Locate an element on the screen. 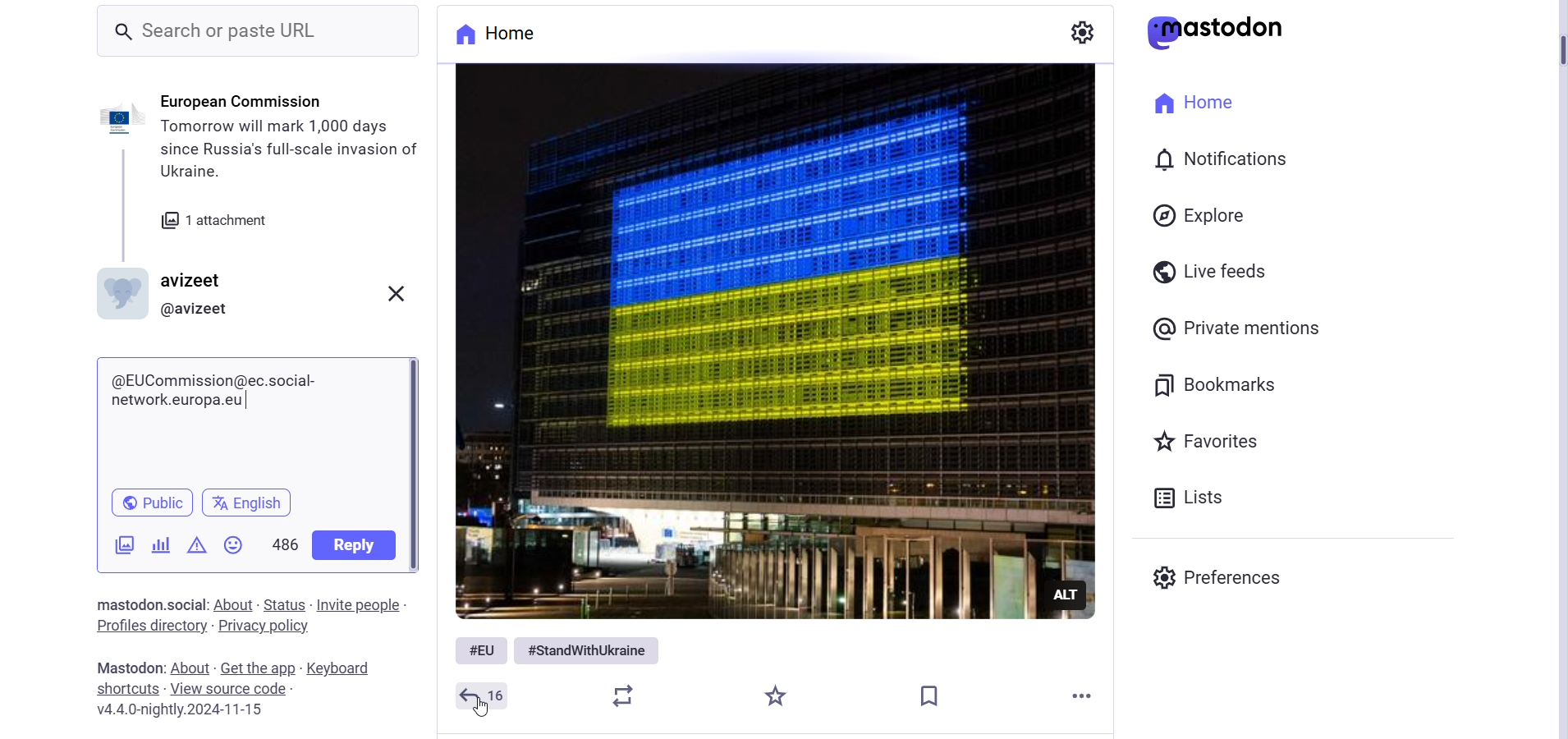 This screenshot has height=739, width=1568. Privacy Policy is located at coordinates (264, 627).